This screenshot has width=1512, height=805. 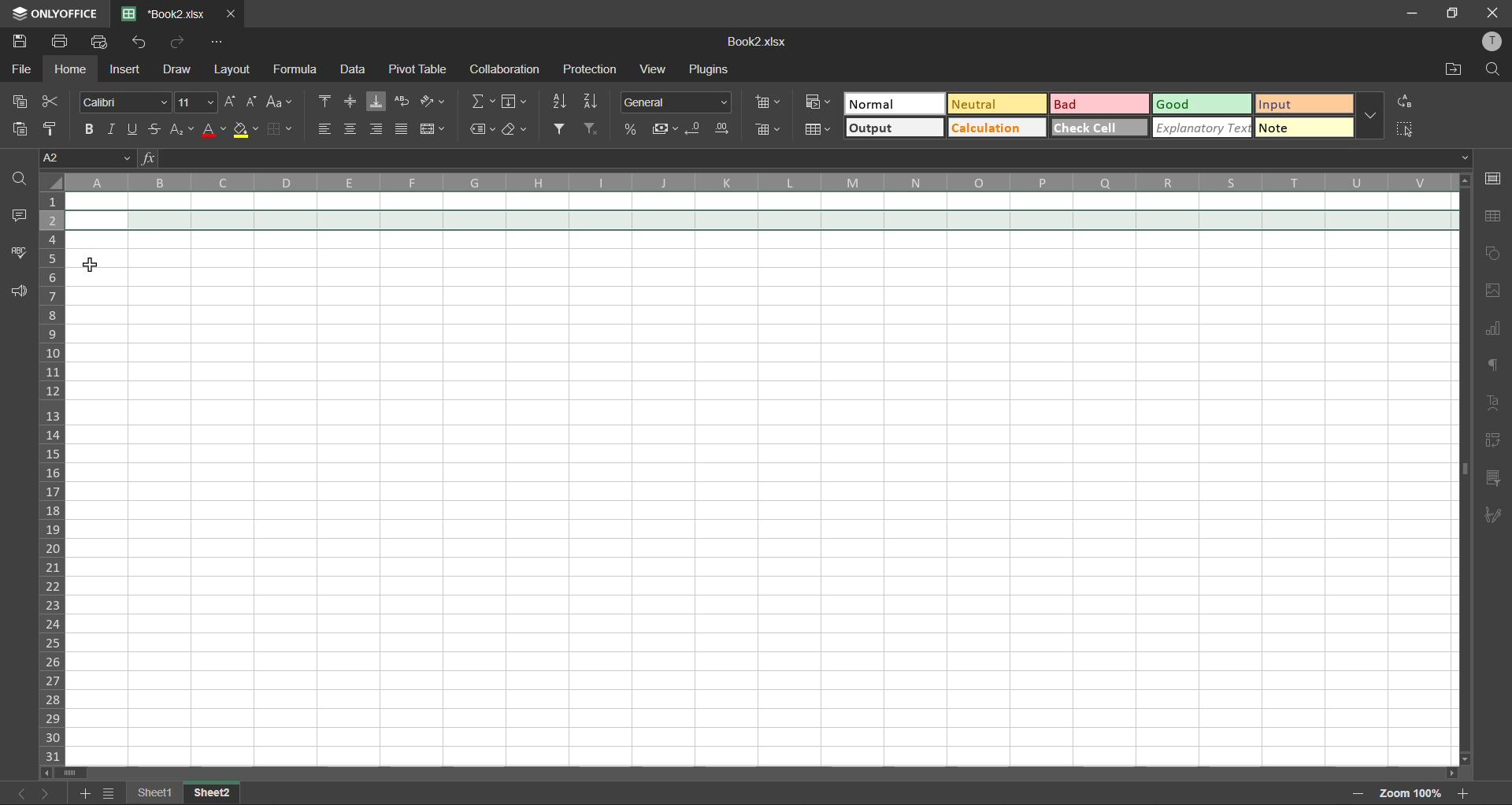 What do you see at coordinates (177, 42) in the screenshot?
I see `redo` at bounding box center [177, 42].